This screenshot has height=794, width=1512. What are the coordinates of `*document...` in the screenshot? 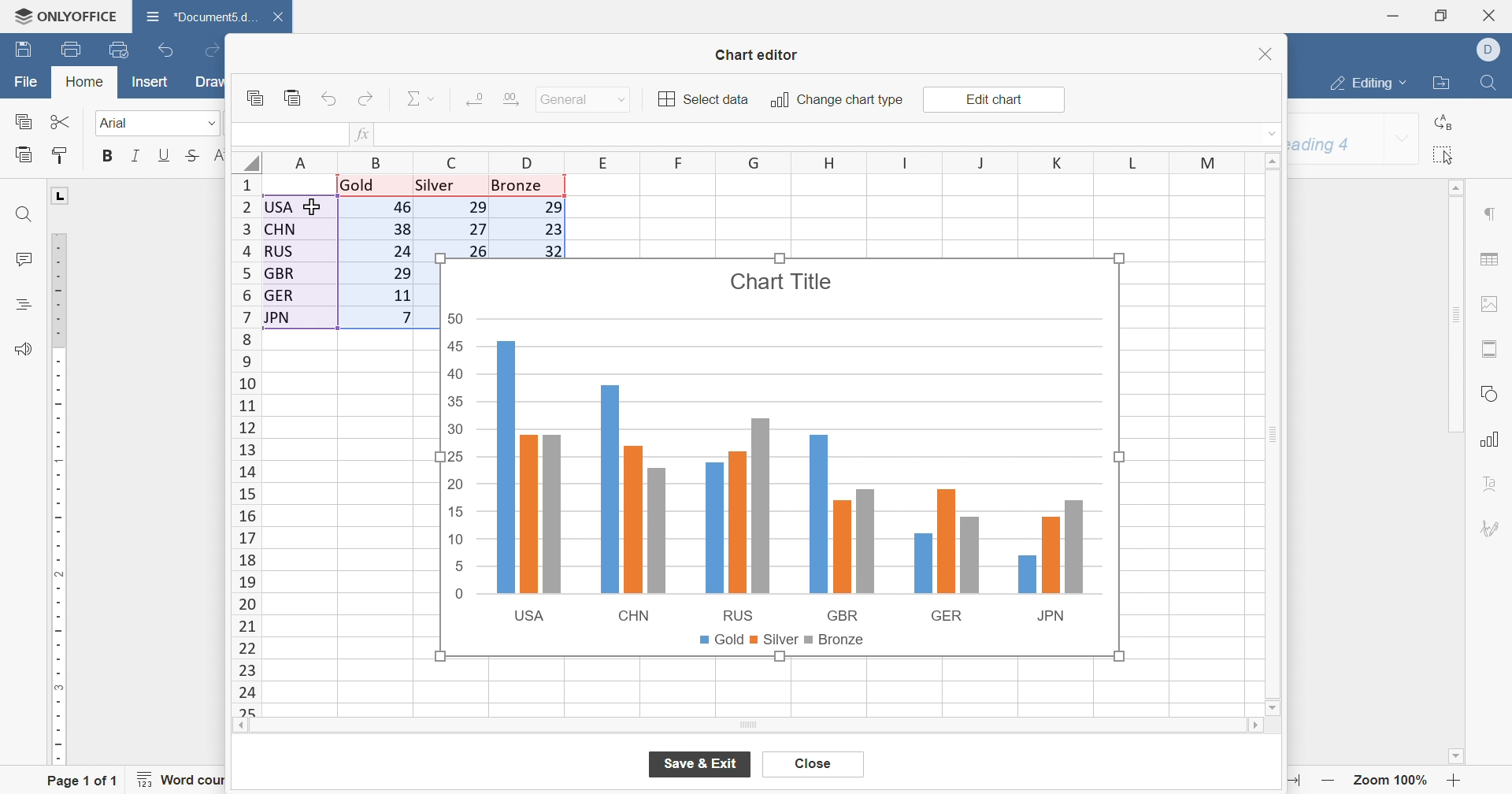 It's located at (198, 16).